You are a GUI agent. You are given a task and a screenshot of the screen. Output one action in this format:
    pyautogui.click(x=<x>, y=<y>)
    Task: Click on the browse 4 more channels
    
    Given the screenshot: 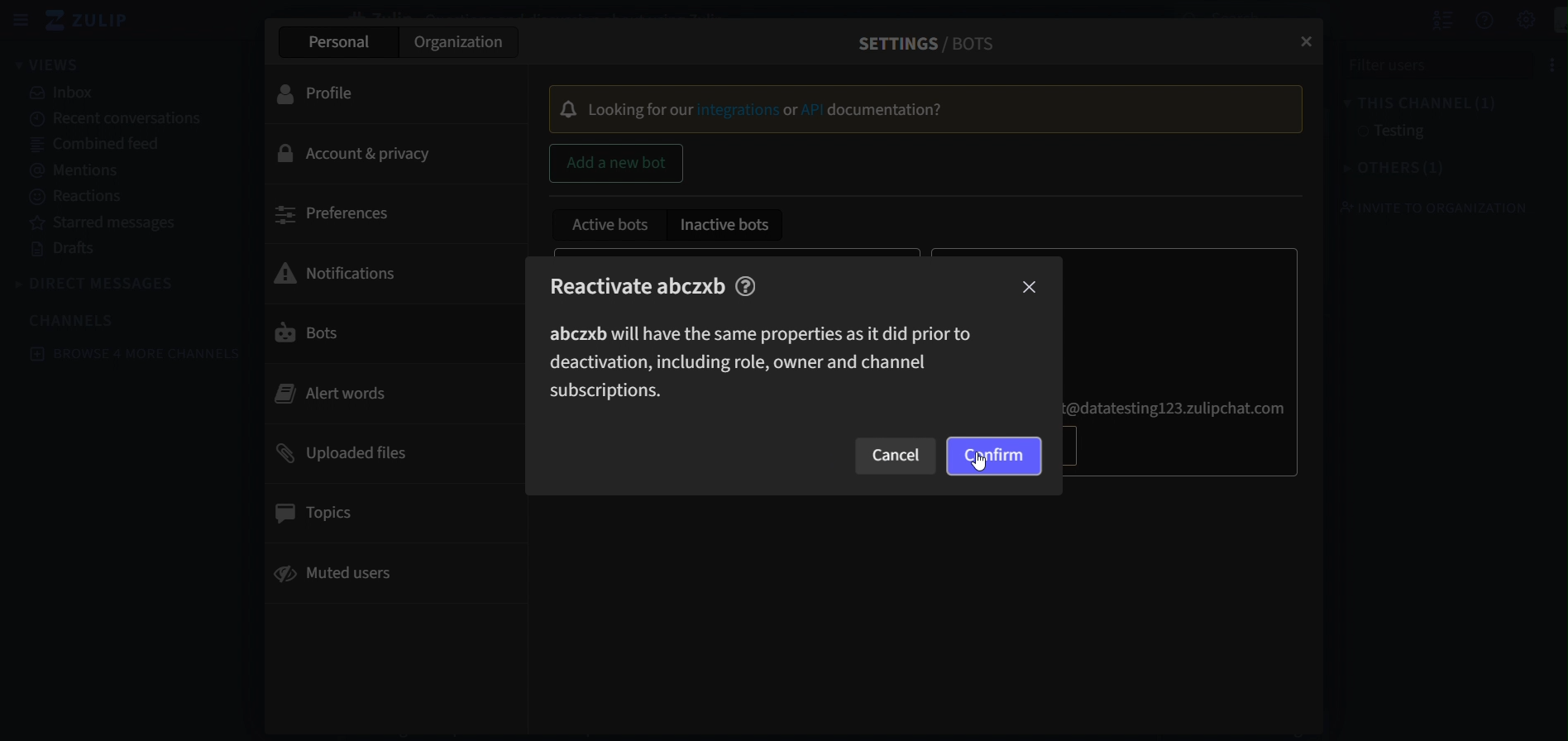 What is the action you would take?
    pyautogui.click(x=136, y=354)
    